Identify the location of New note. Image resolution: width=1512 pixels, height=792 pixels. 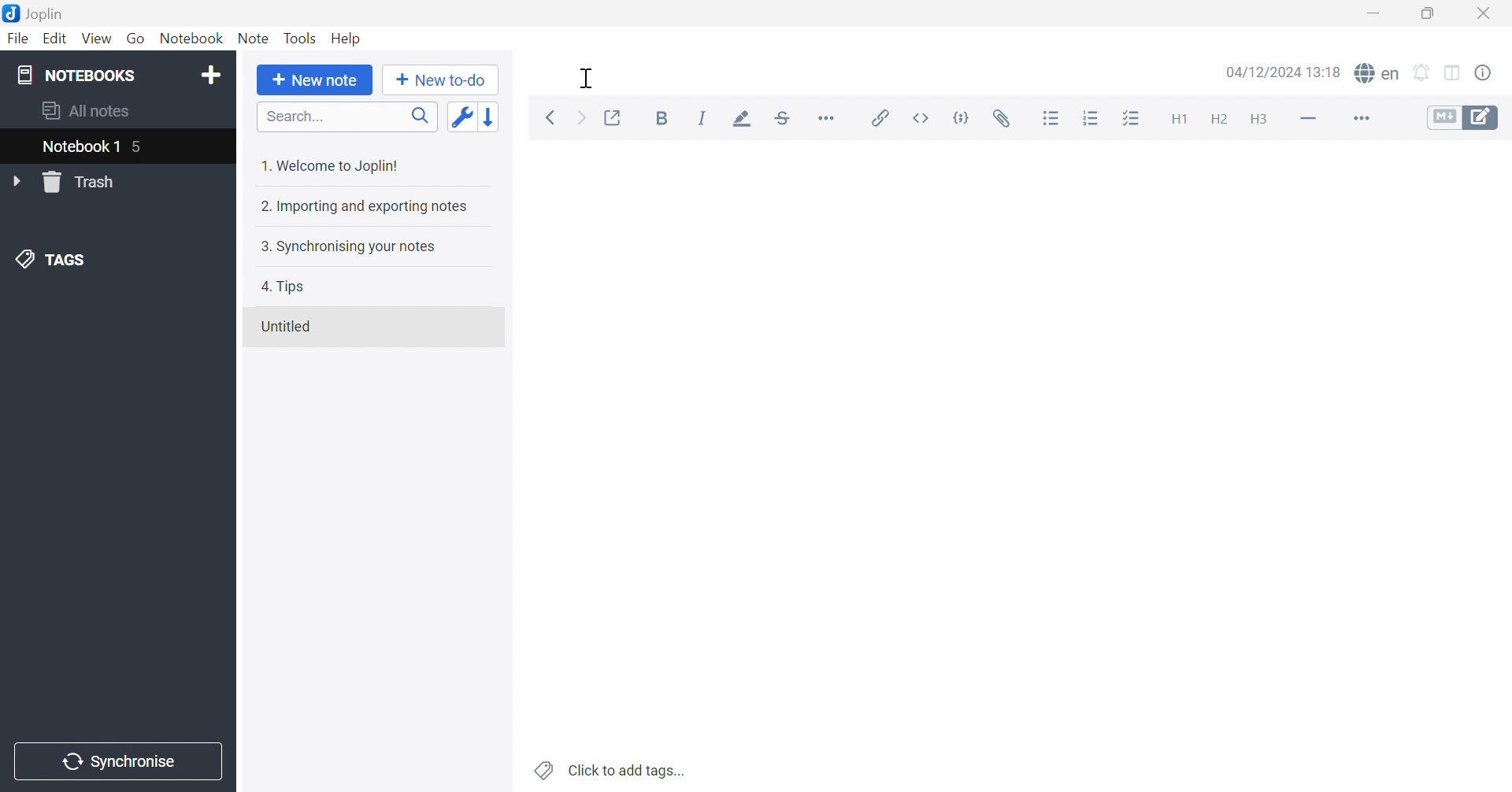
(314, 81).